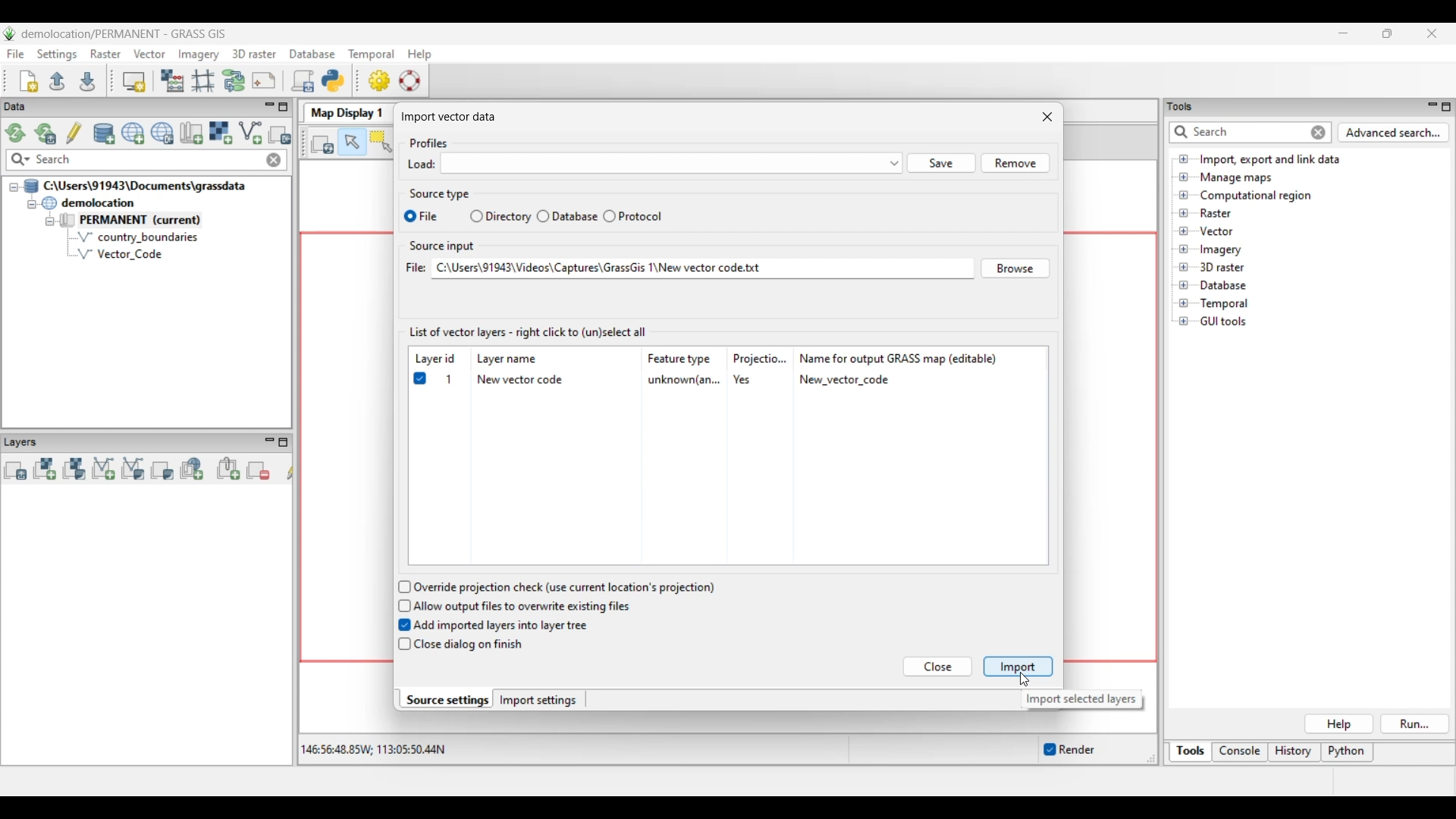 The image size is (1456, 819). Describe the element at coordinates (1348, 753) in the screenshot. I see `Python` at that location.